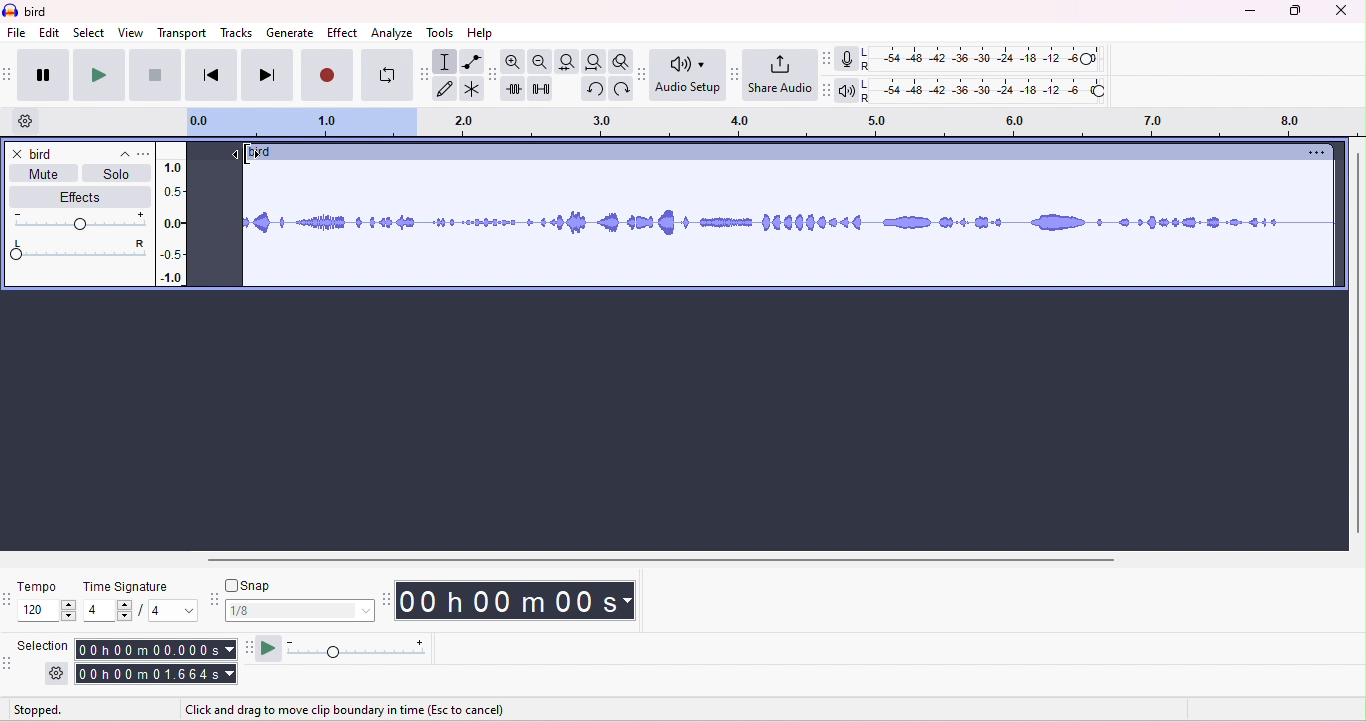  Describe the element at coordinates (44, 177) in the screenshot. I see `mute` at that location.